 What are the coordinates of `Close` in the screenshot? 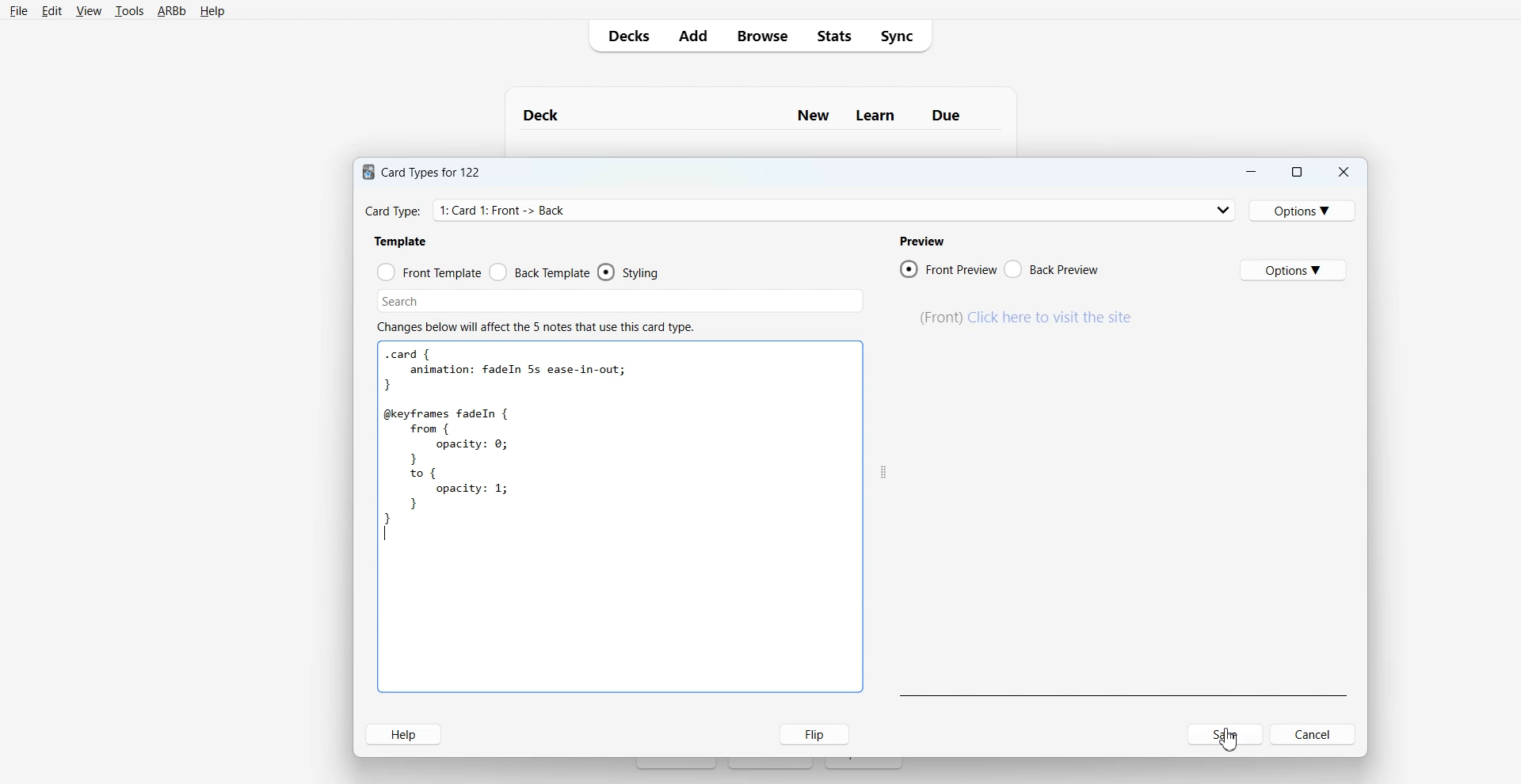 It's located at (1344, 170).